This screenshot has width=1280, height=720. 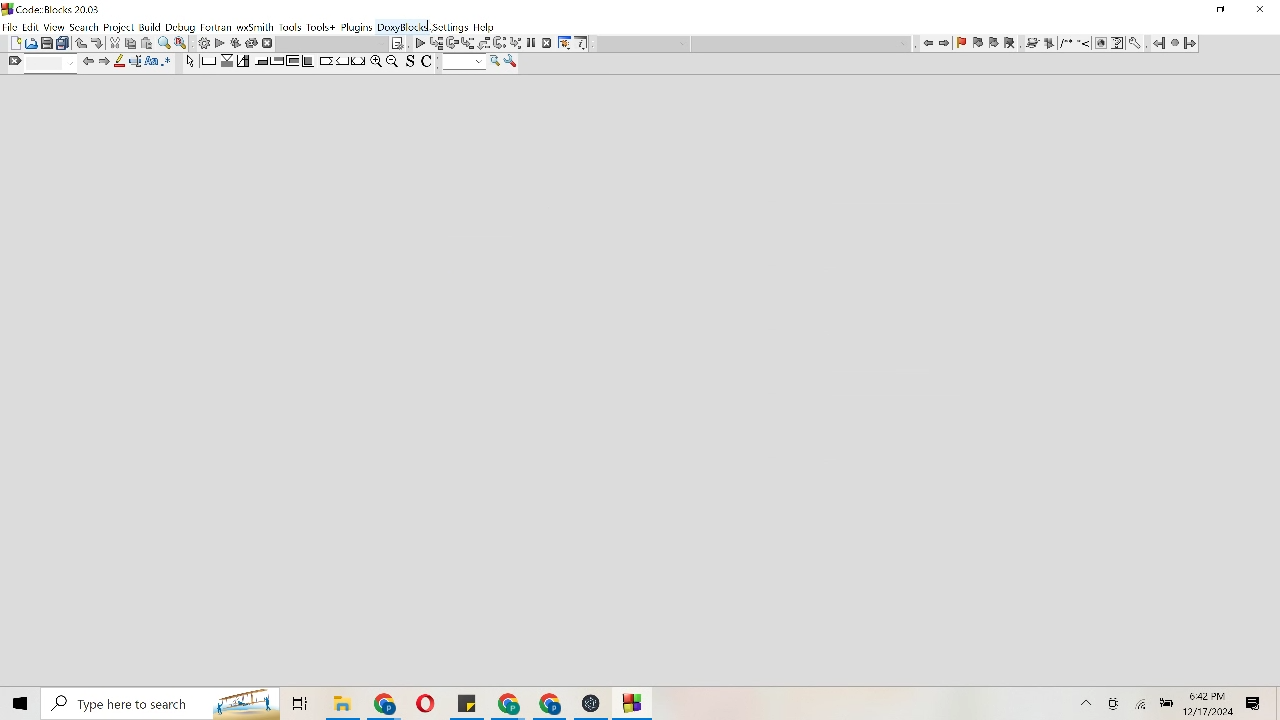 What do you see at coordinates (321, 28) in the screenshot?
I see `Tools+` at bounding box center [321, 28].